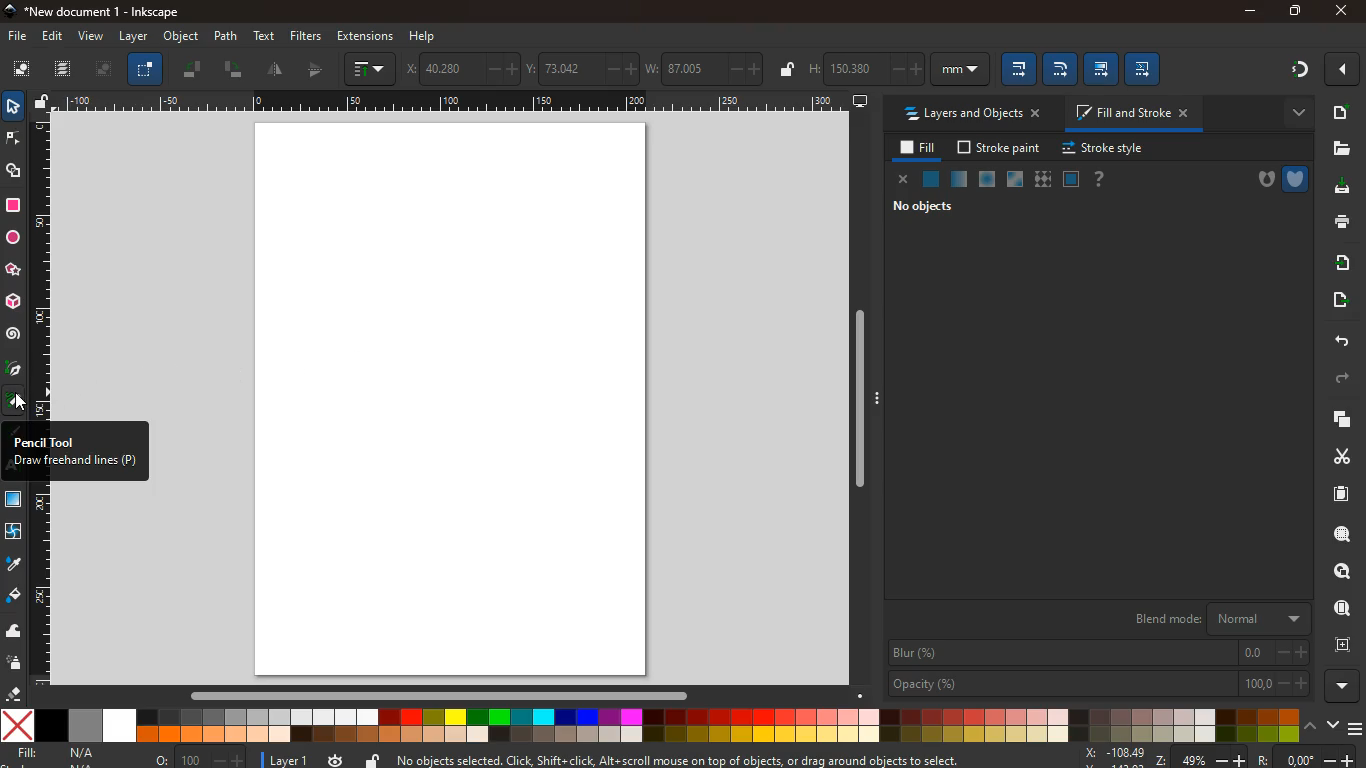  I want to click on object, so click(182, 37).